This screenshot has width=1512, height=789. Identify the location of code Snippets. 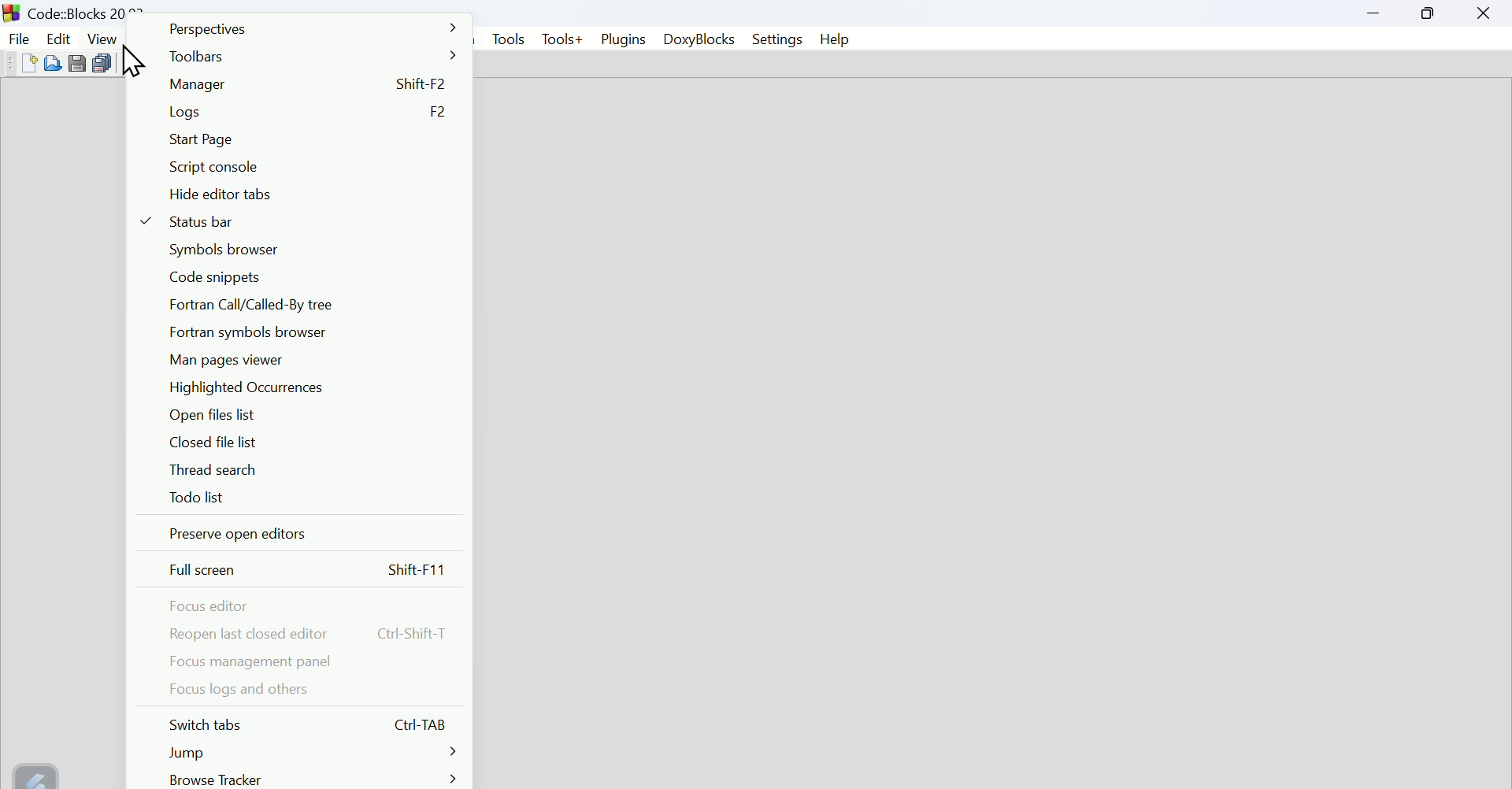
(220, 276).